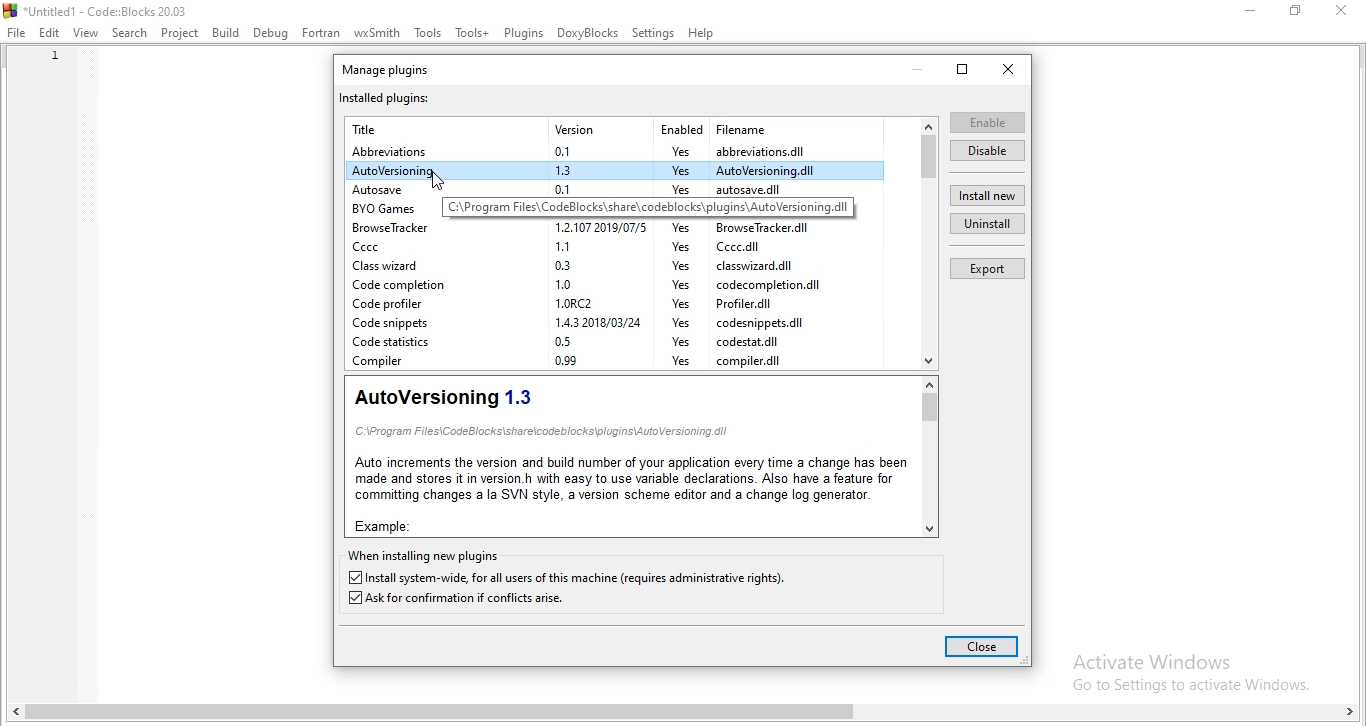 Image resolution: width=1366 pixels, height=726 pixels. Describe the element at coordinates (927, 455) in the screenshot. I see `scroll bar` at that location.